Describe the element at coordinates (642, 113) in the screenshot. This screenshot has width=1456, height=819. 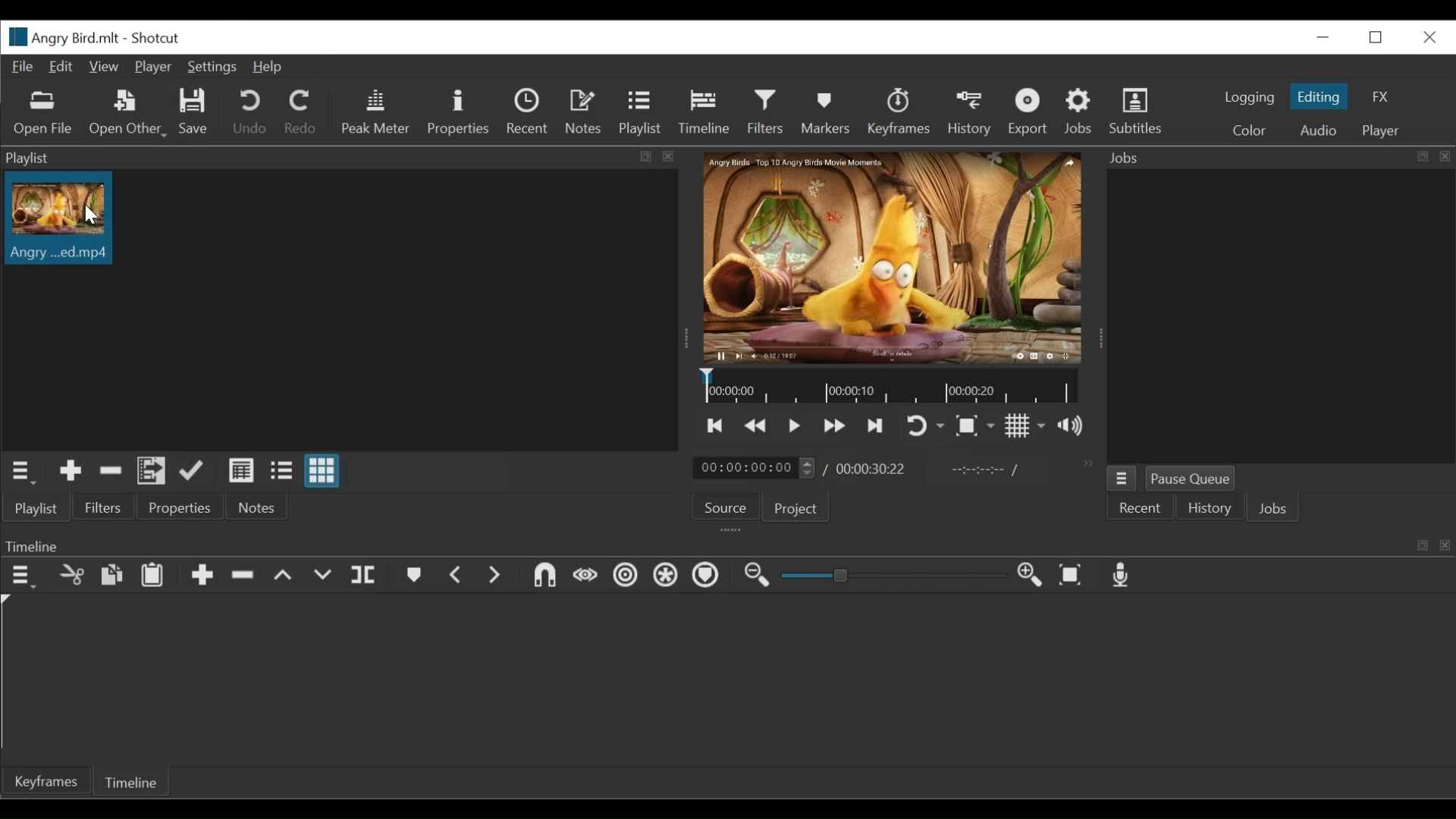
I see `Playlist` at that location.